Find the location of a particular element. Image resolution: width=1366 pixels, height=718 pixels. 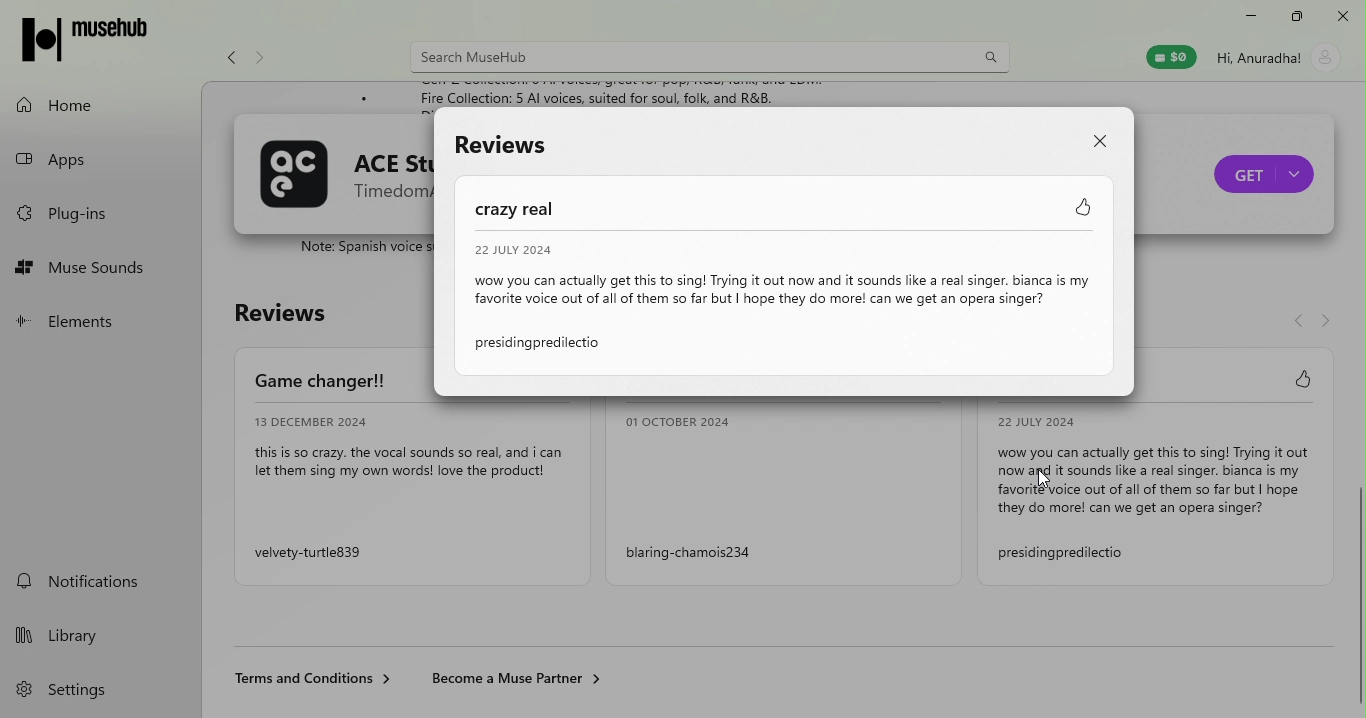

navigate back is located at coordinates (232, 55).